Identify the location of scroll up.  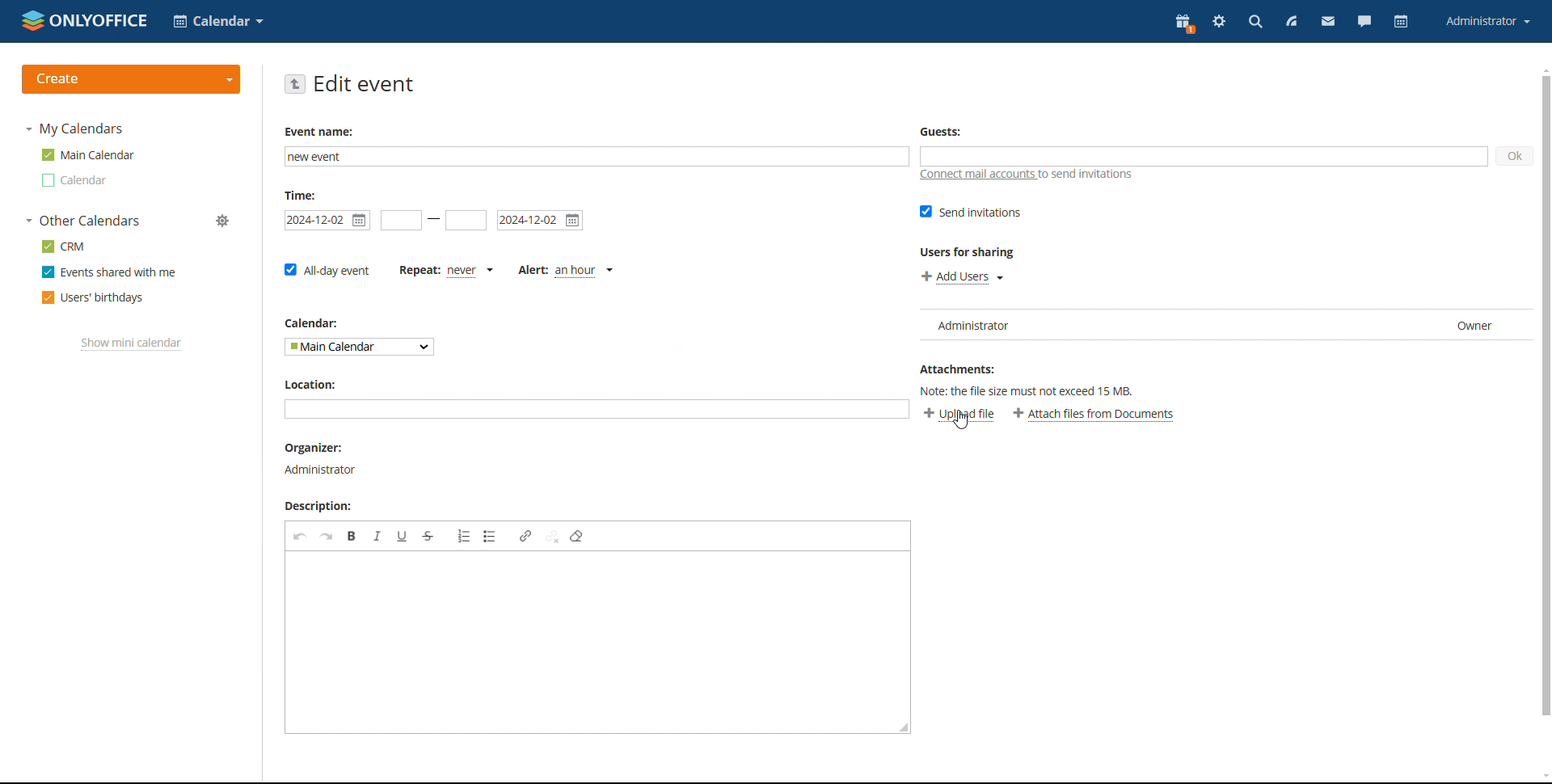
(1542, 69).